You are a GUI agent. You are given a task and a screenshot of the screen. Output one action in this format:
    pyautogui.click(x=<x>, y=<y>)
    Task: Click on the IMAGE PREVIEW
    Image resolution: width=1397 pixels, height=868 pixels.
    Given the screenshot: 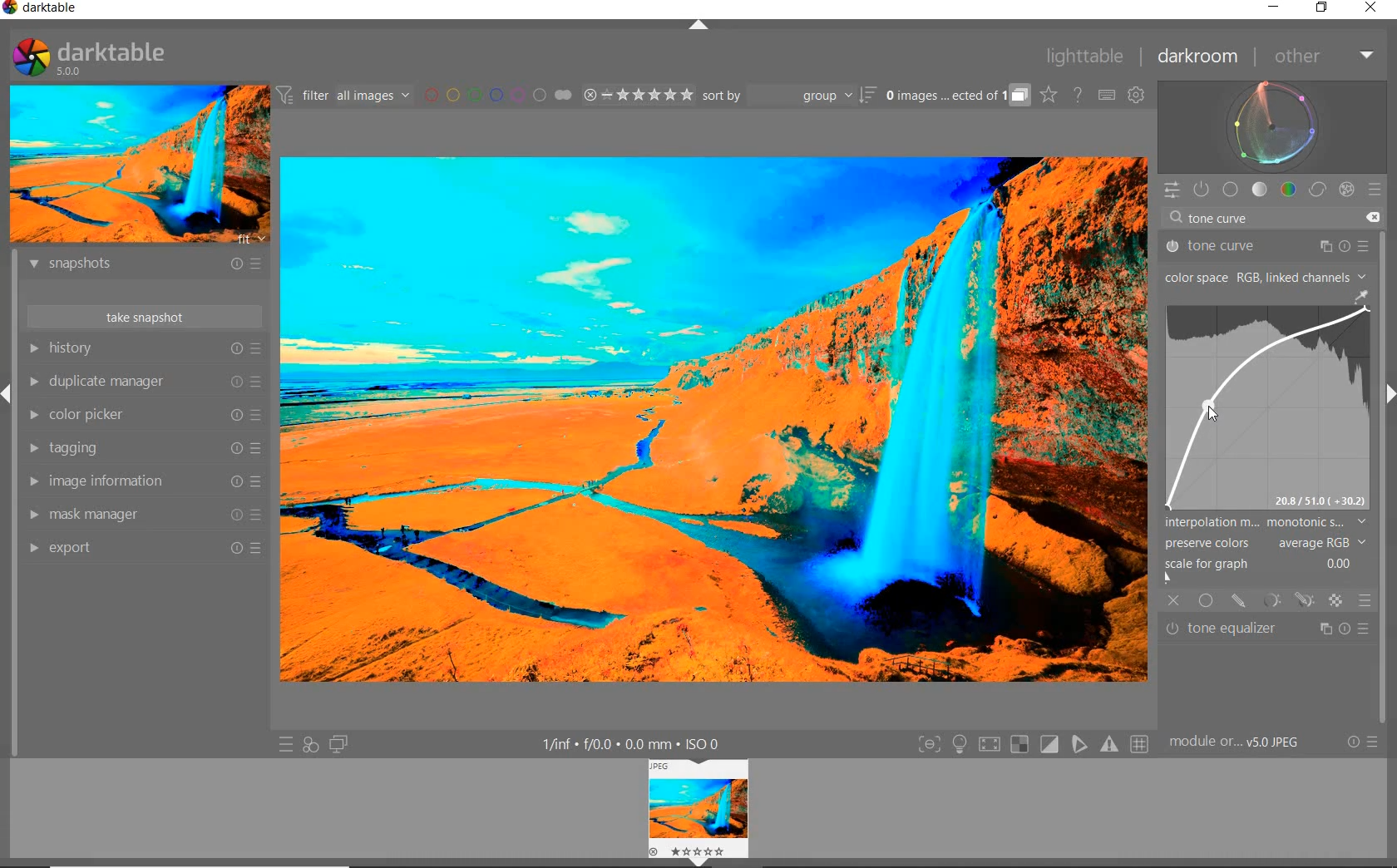 What is the action you would take?
    pyautogui.click(x=137, y=165)
    